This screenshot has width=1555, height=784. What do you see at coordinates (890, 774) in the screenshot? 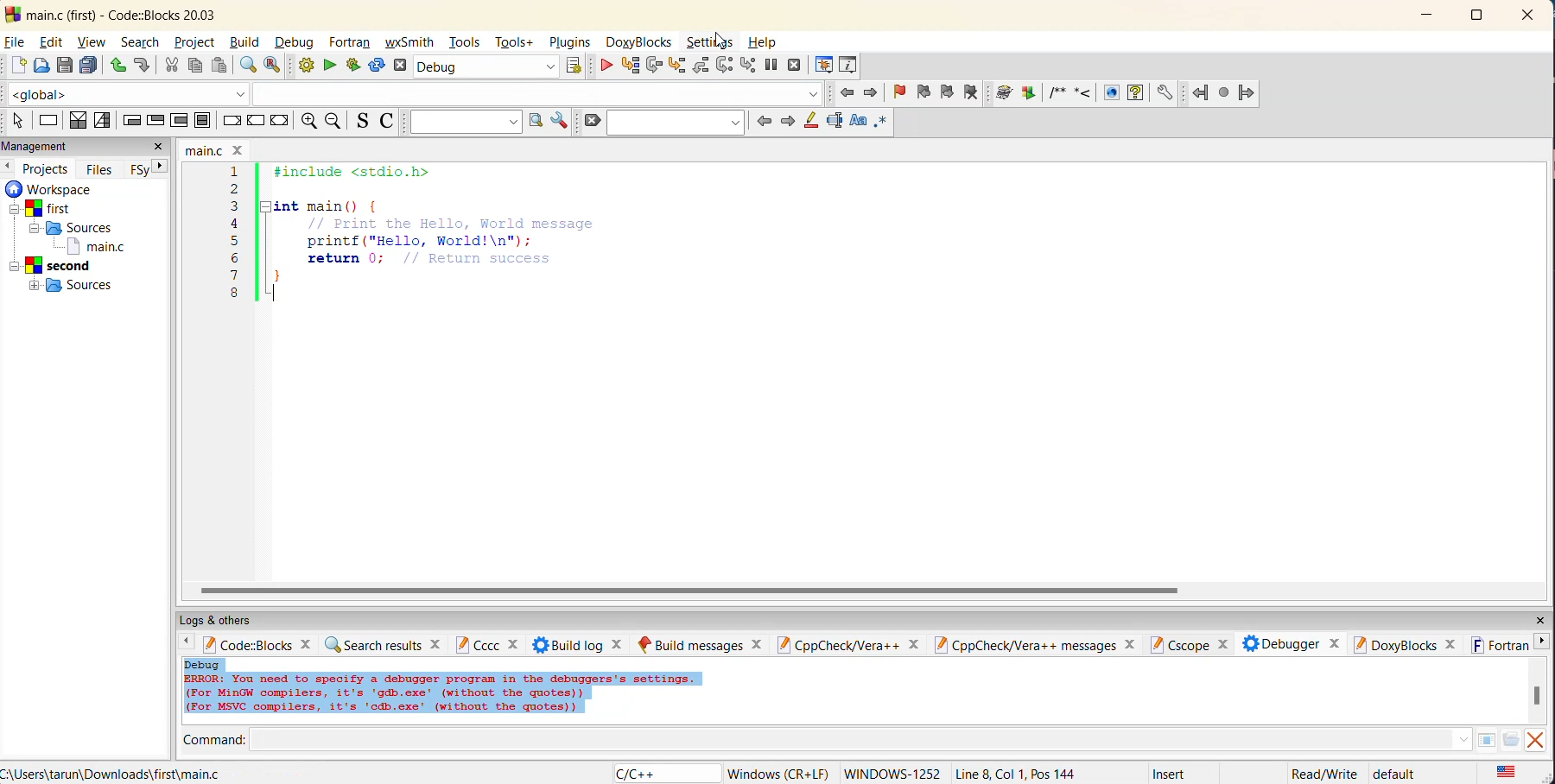
I see `WINDOWS 1252` at bounding box center [890, 774].